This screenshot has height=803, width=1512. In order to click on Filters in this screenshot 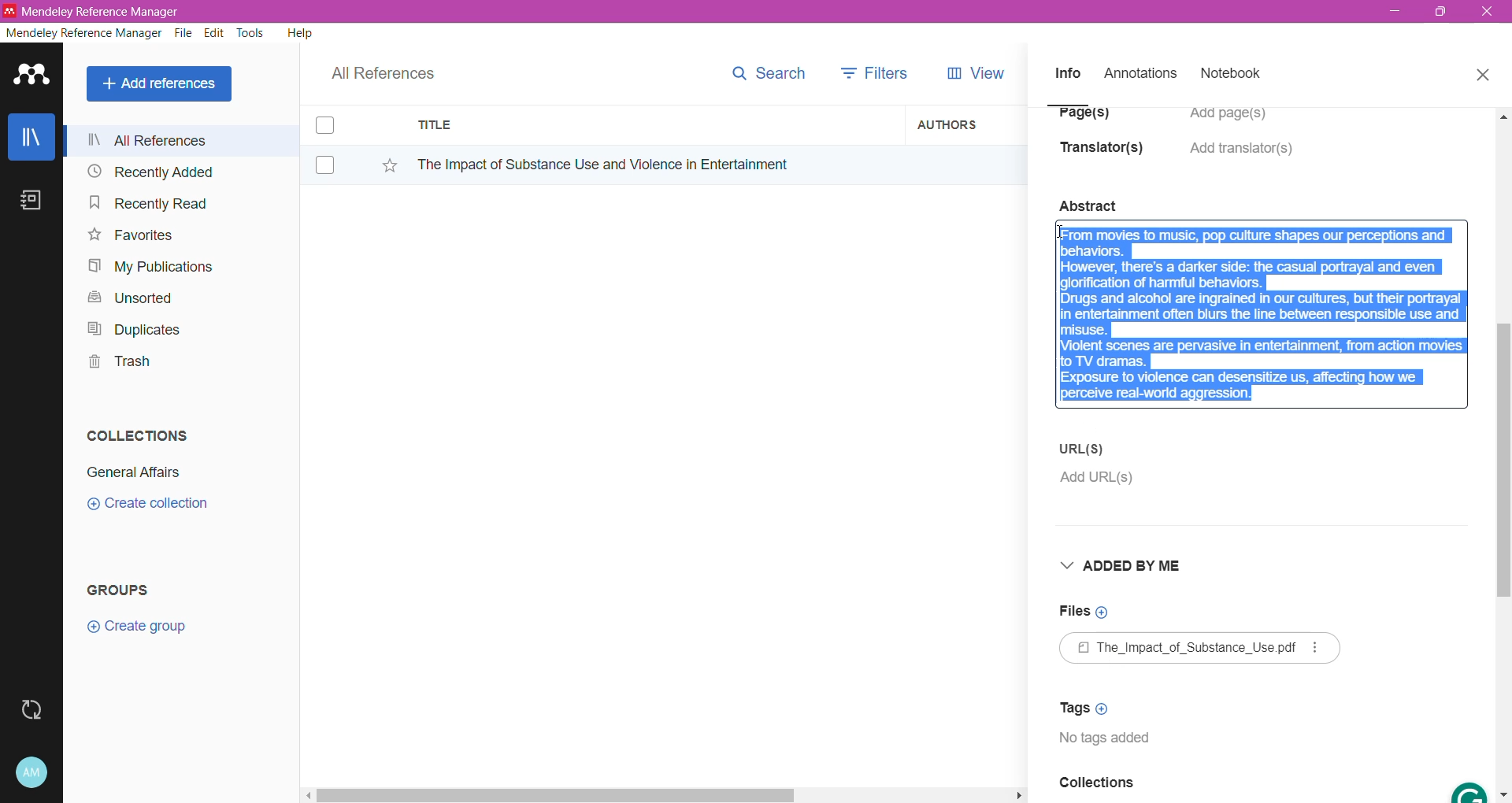, I will do `click(879, 72)`.